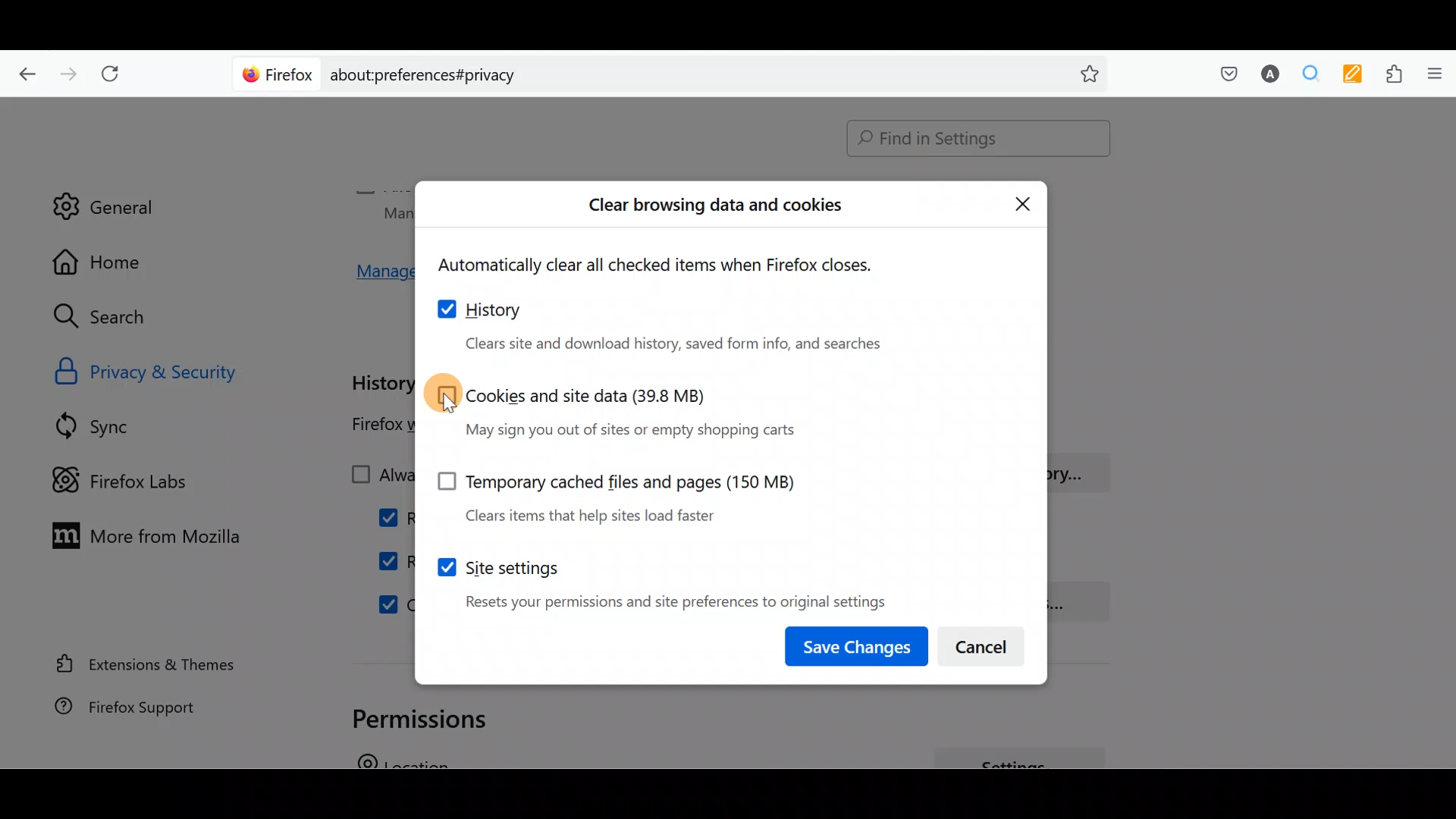  Describe the element at coordinates (1348, 76) in the screenshot. I see `Multi keywords highlighter` at that location.